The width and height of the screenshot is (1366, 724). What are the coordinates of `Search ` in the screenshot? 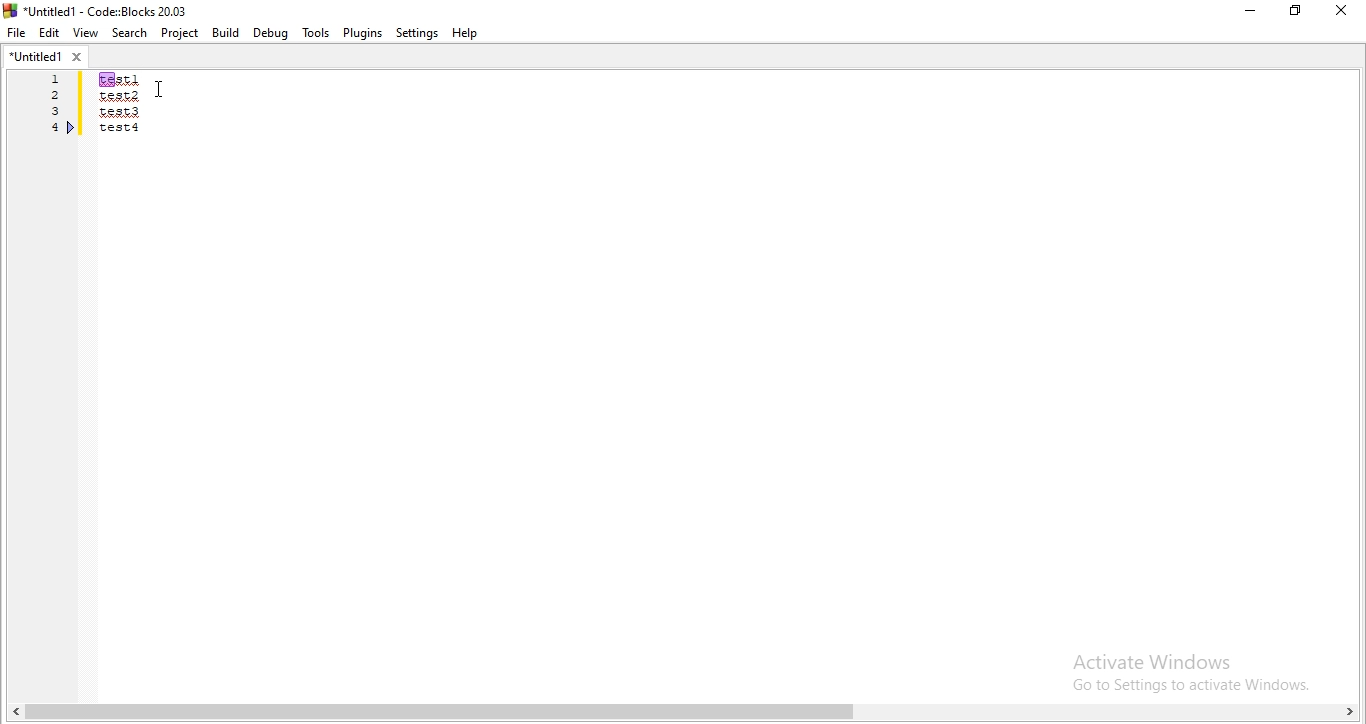 It's located at (127, 32).